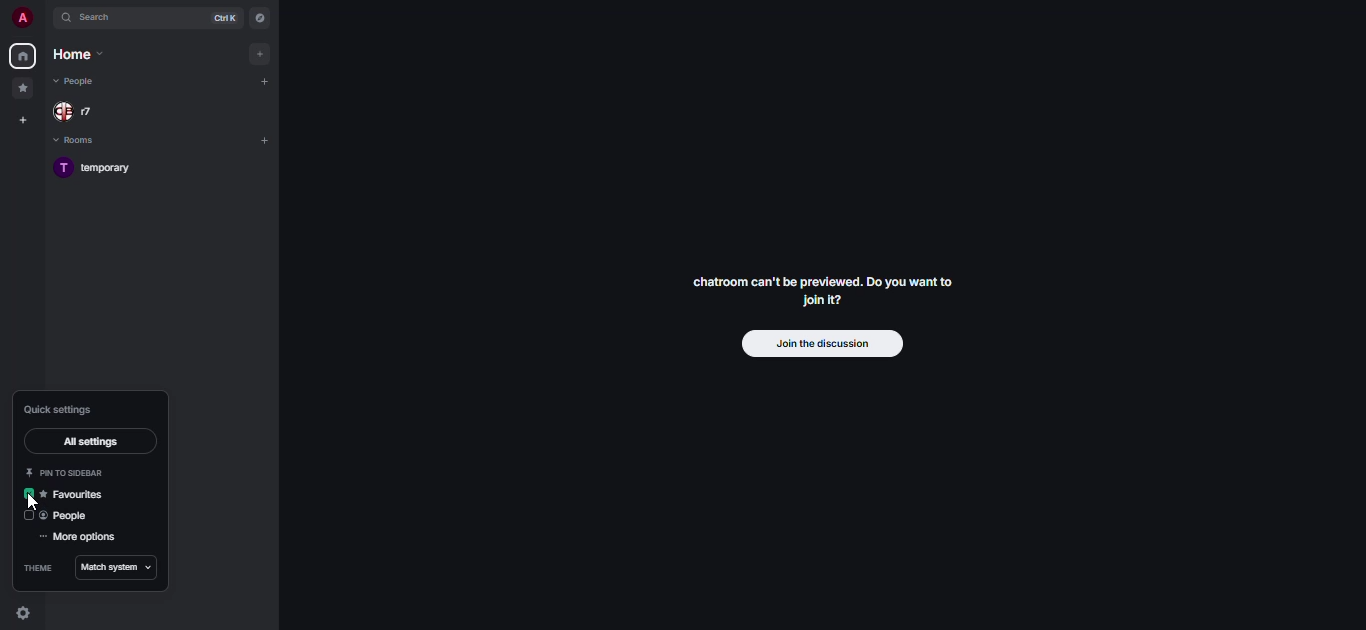  I want to click on all settings, so click(86, 442).